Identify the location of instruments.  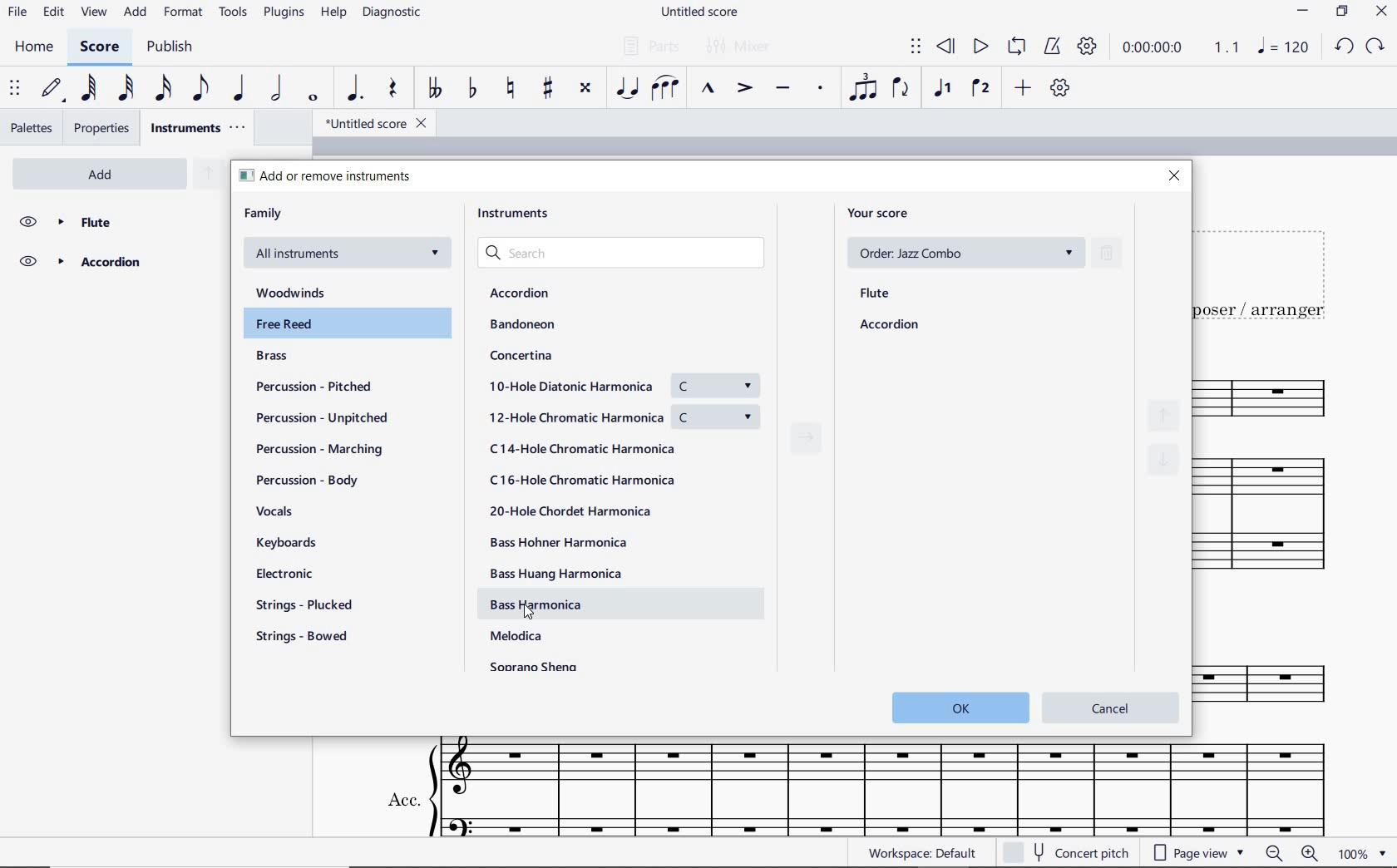
(518, 214).